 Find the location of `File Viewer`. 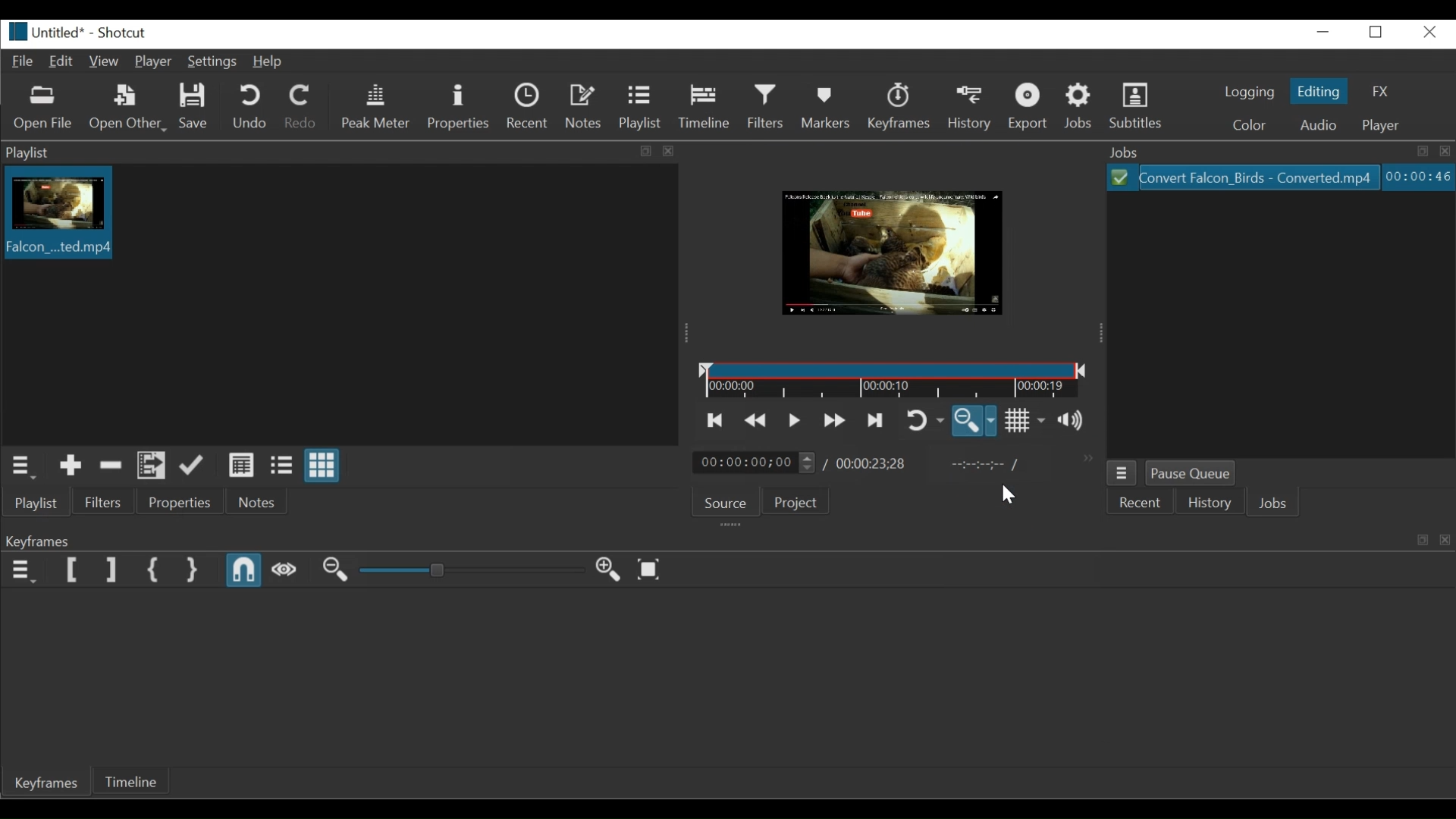

File Viewer is located at coordinates (1278, 324).